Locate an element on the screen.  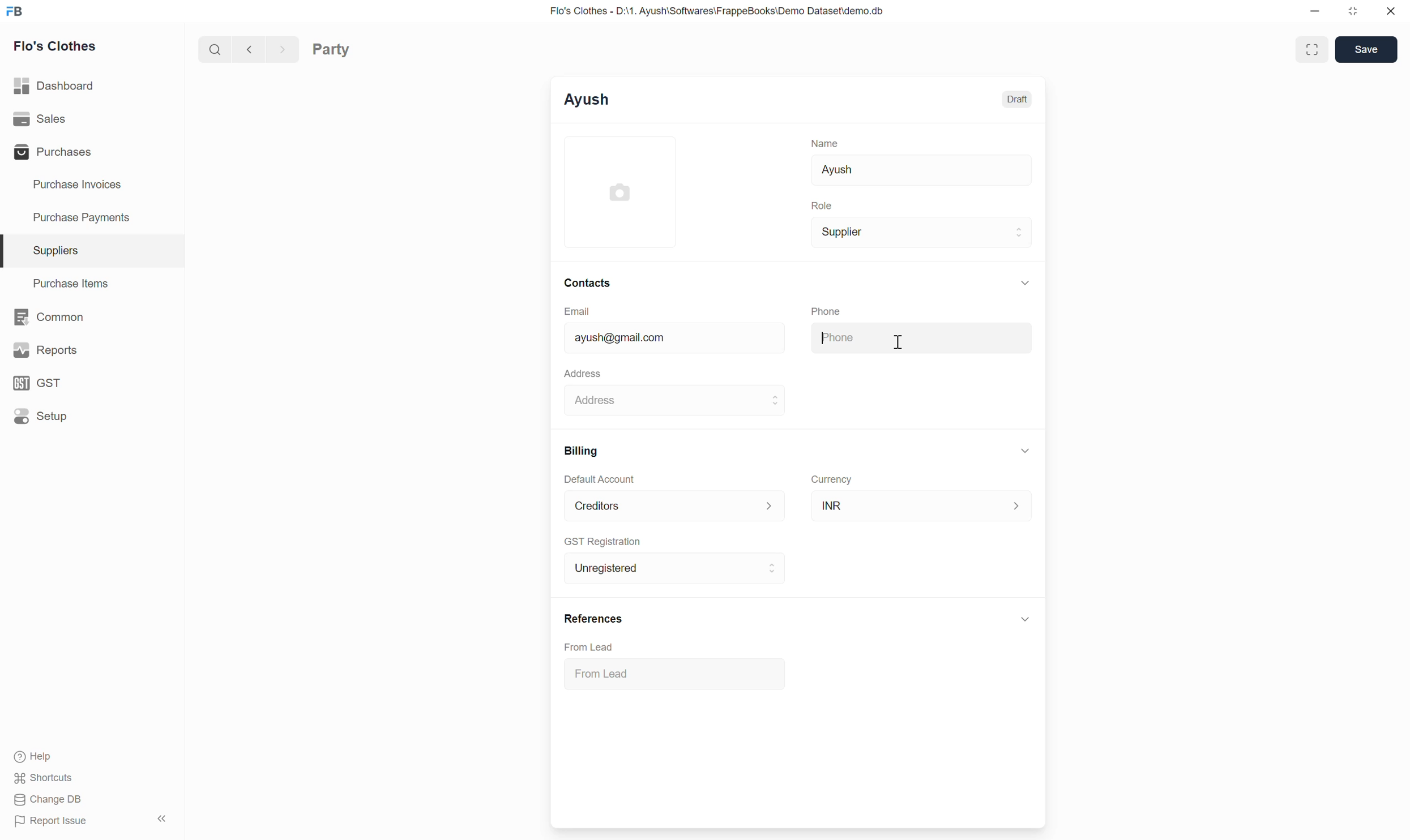
Close is located at coordinates (1391, 11).